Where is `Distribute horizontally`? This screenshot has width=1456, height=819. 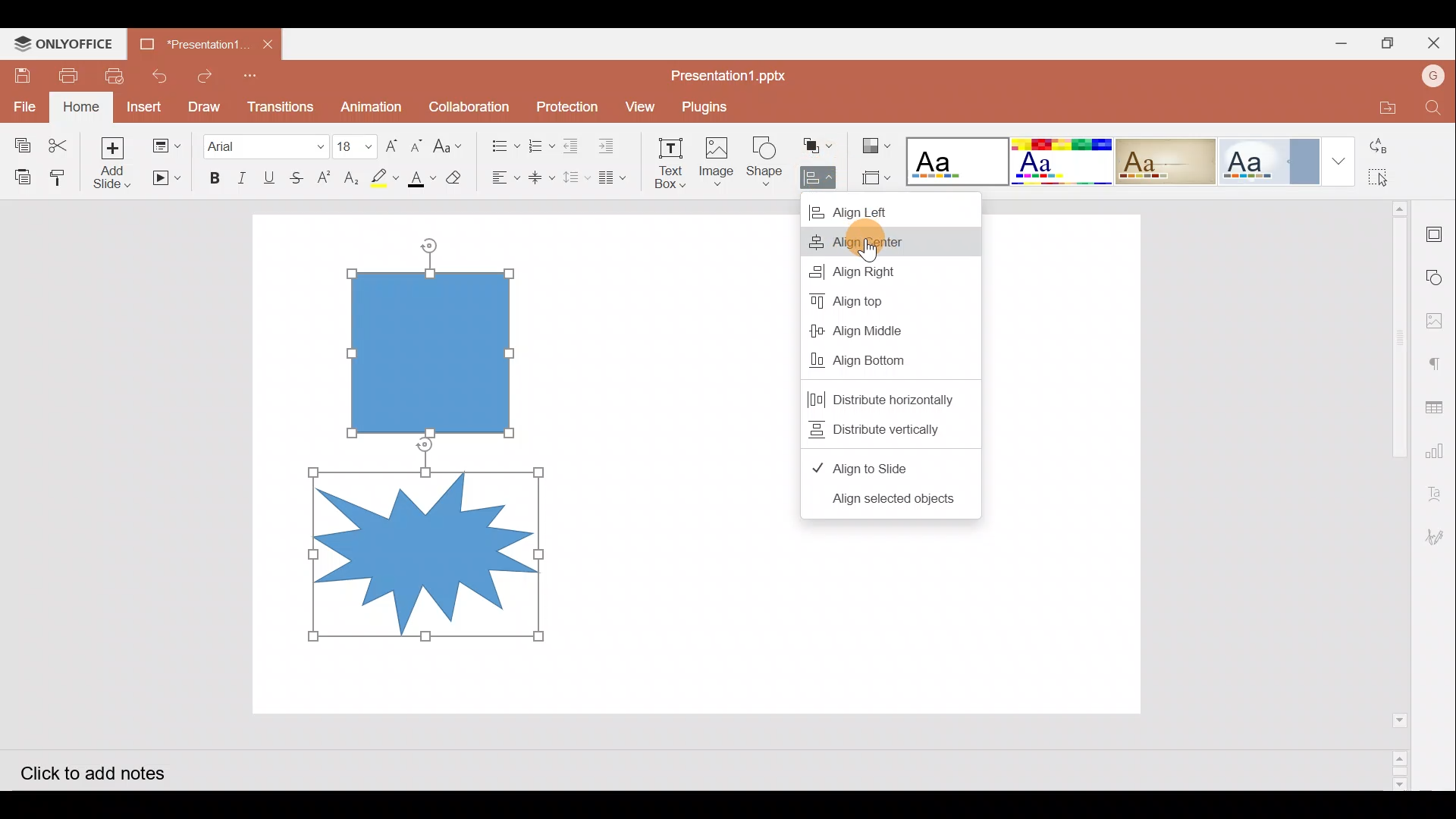 Distribute horizontally is located at coordinates (882, 393).